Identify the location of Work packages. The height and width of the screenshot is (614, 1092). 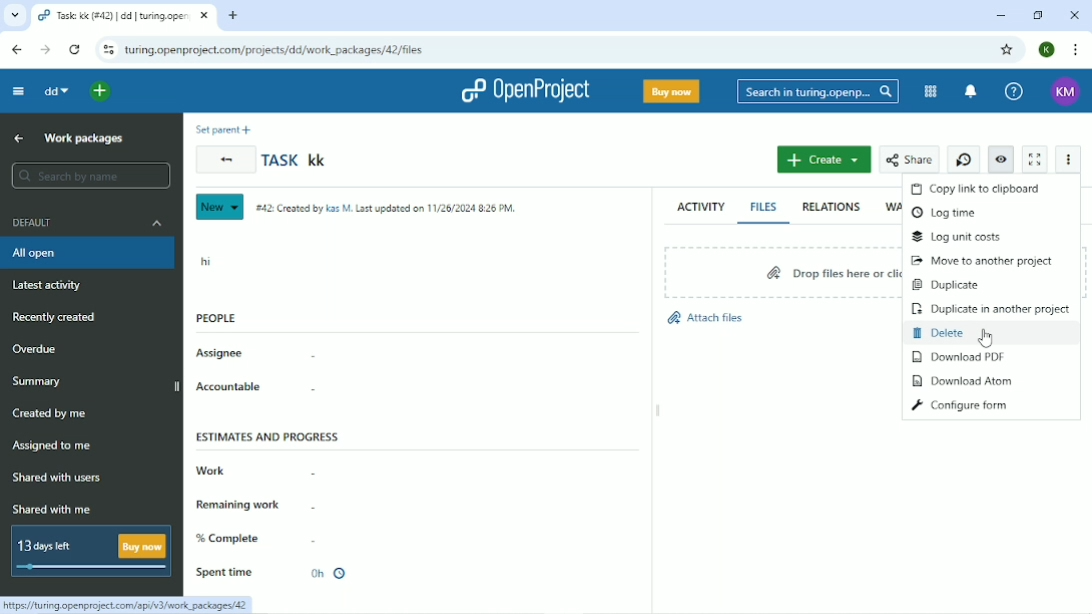
(85, 138).